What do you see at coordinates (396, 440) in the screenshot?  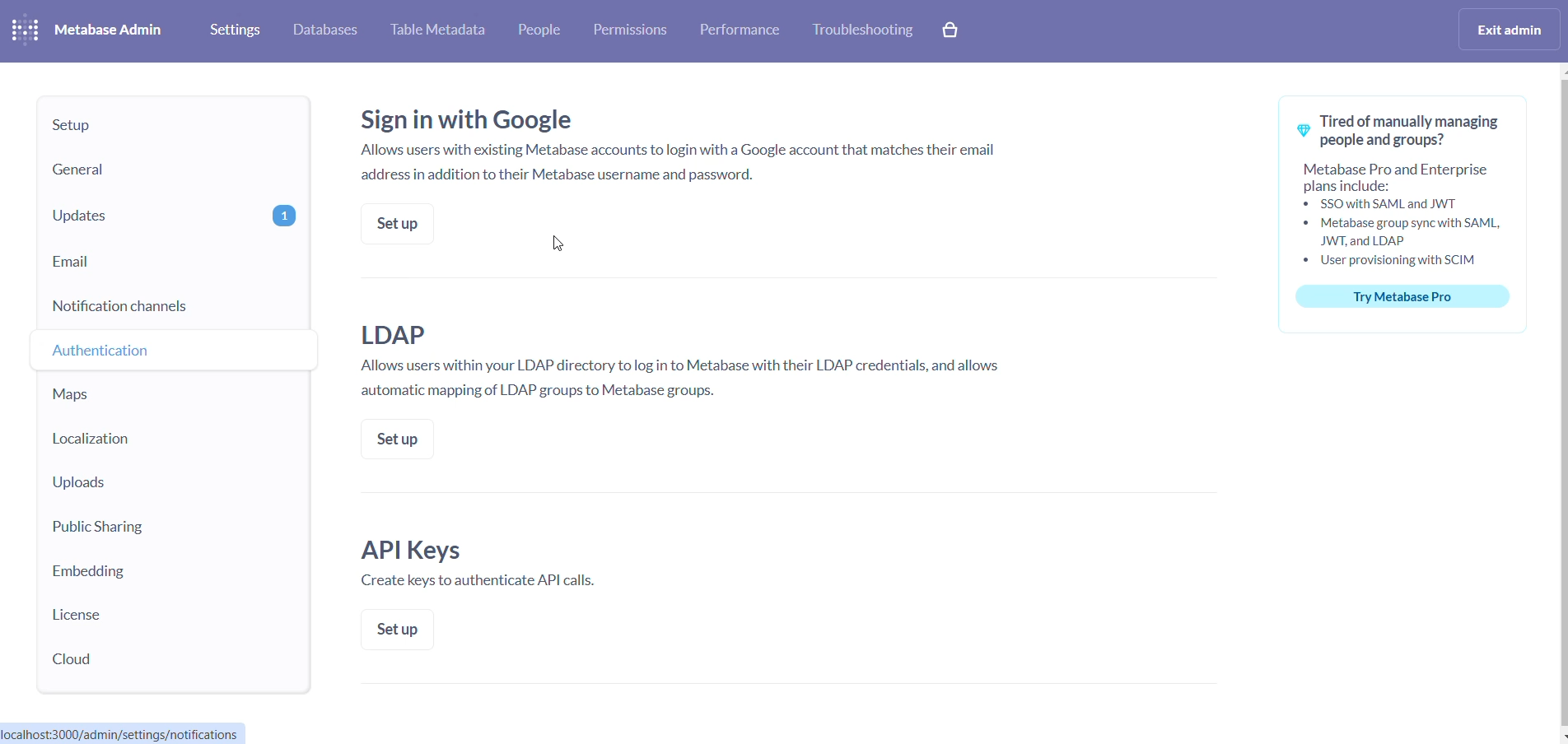 I see `set up LDAP` at bounding box center [396, 440].